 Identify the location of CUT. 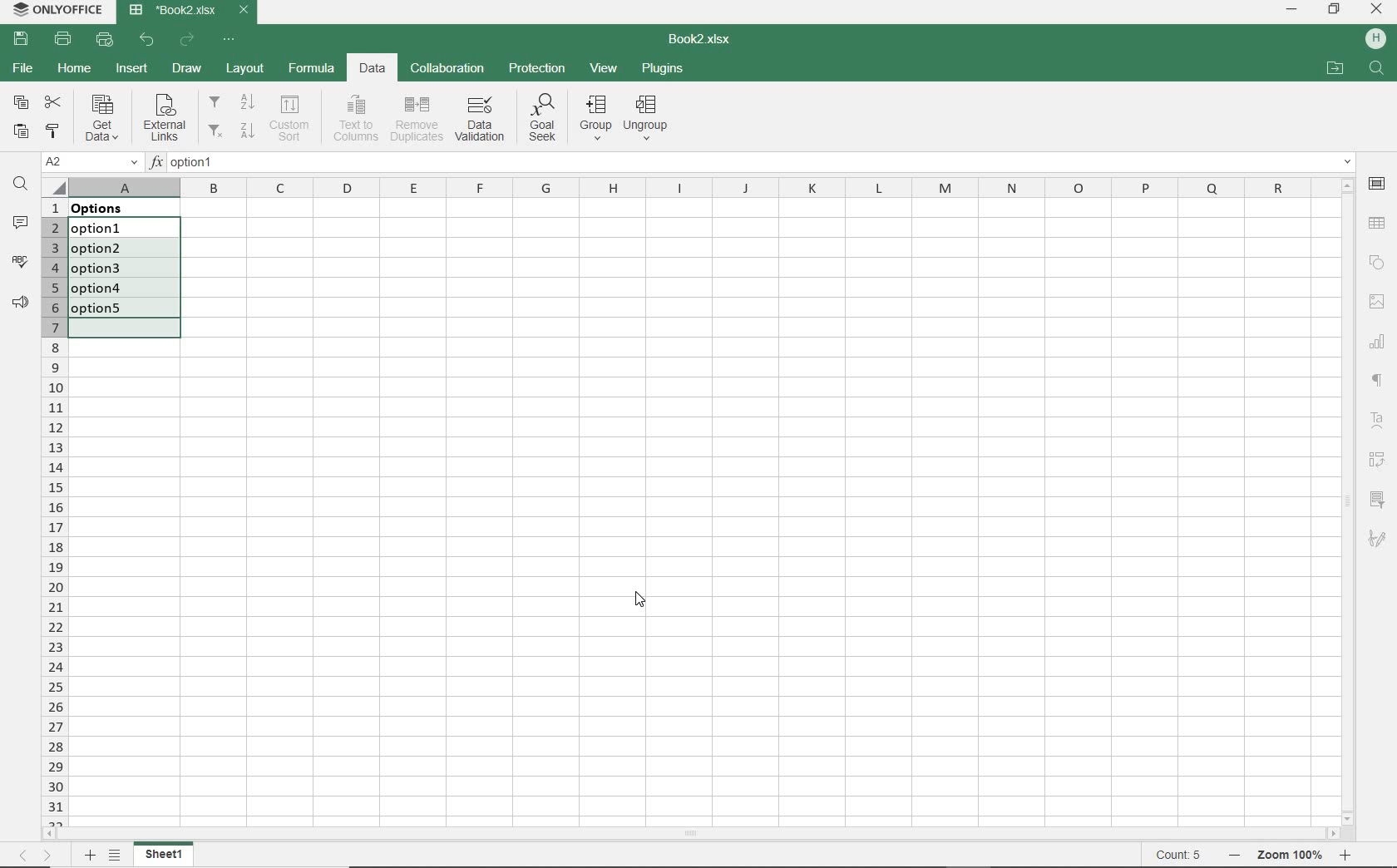
(52, 101).